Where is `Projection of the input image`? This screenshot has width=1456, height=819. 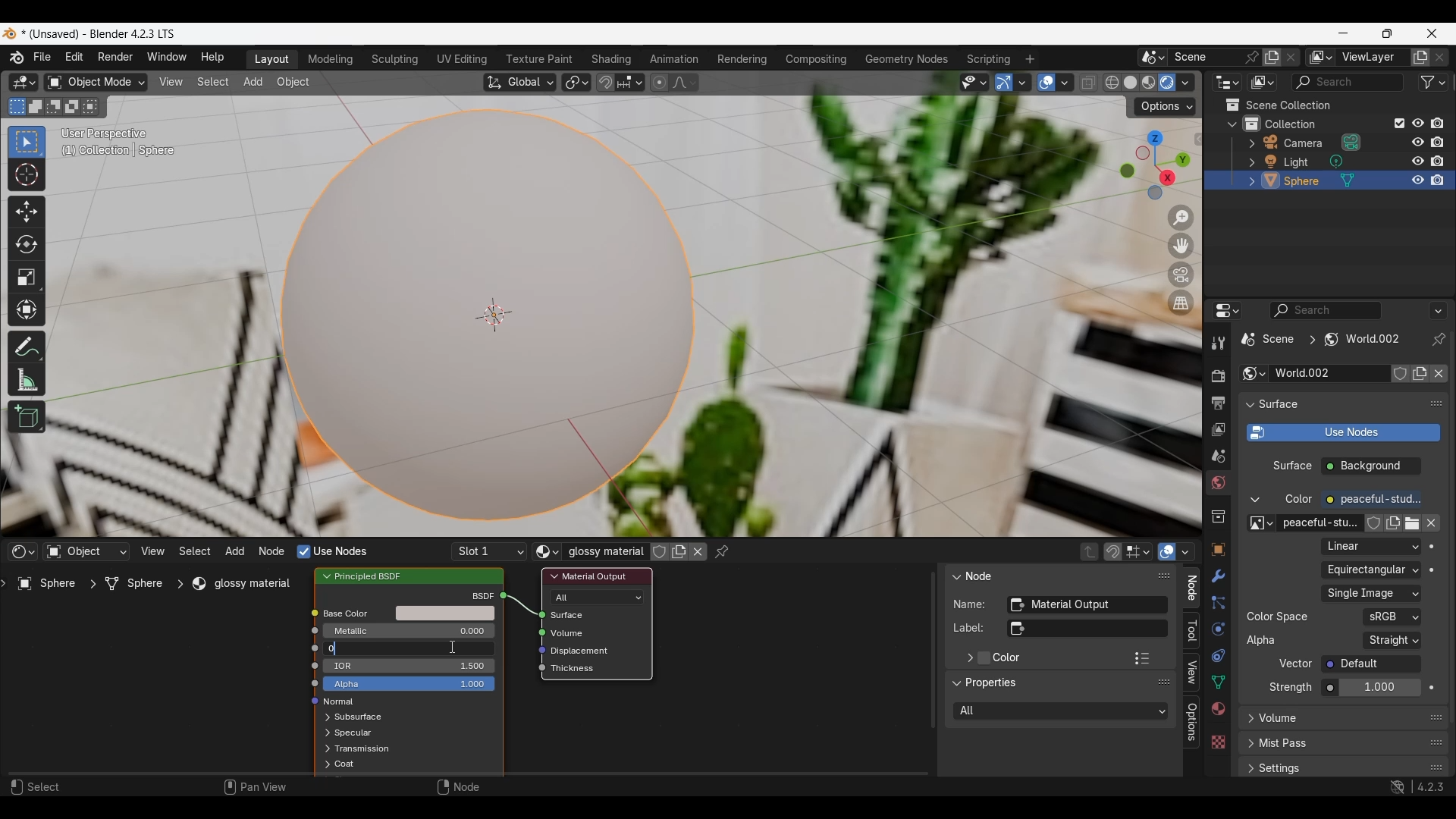
Projection of the input image is located at coordinates (1371, 570).